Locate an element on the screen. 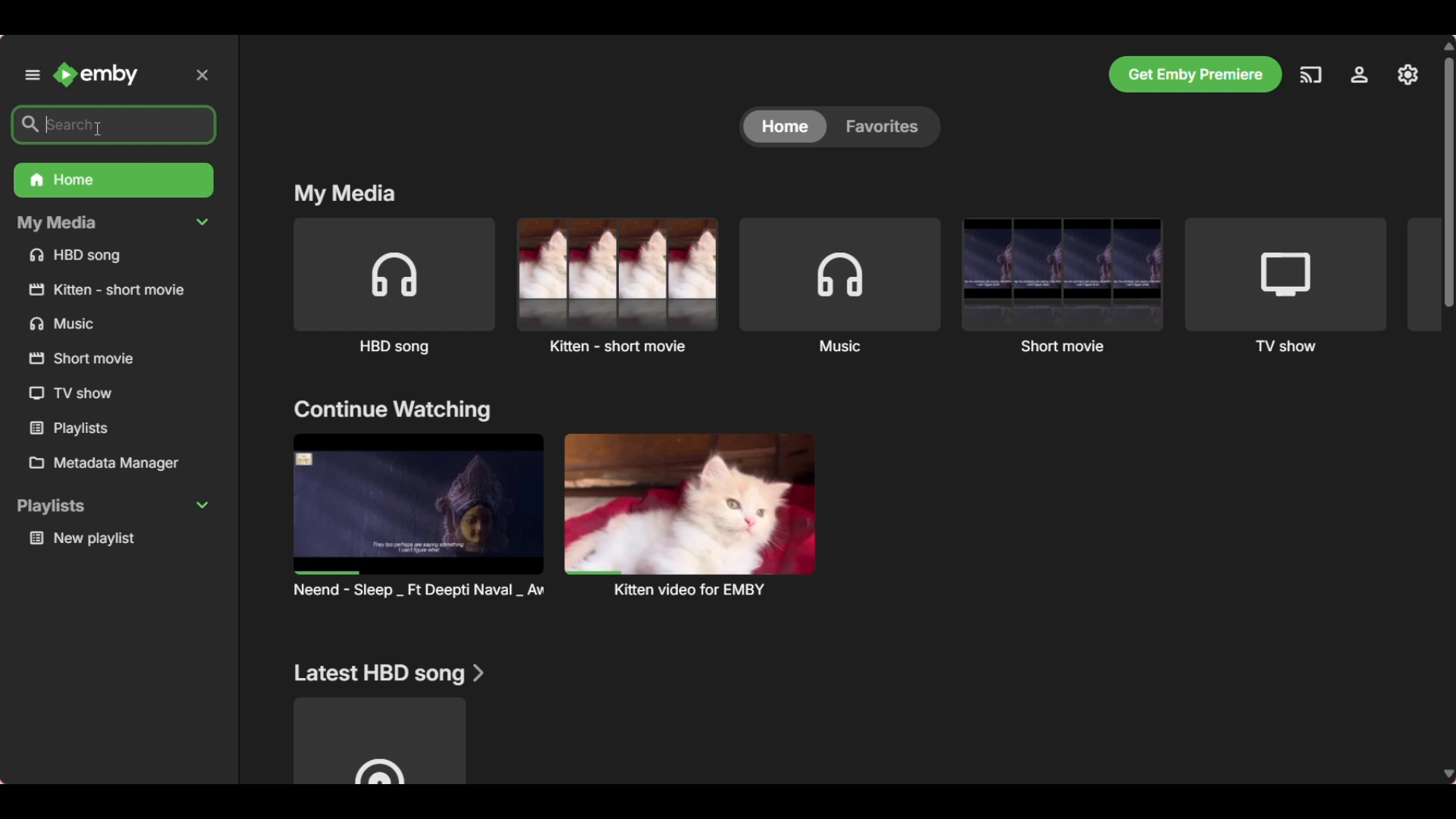  Kitten - short movie is located at coordinates (617, 286).